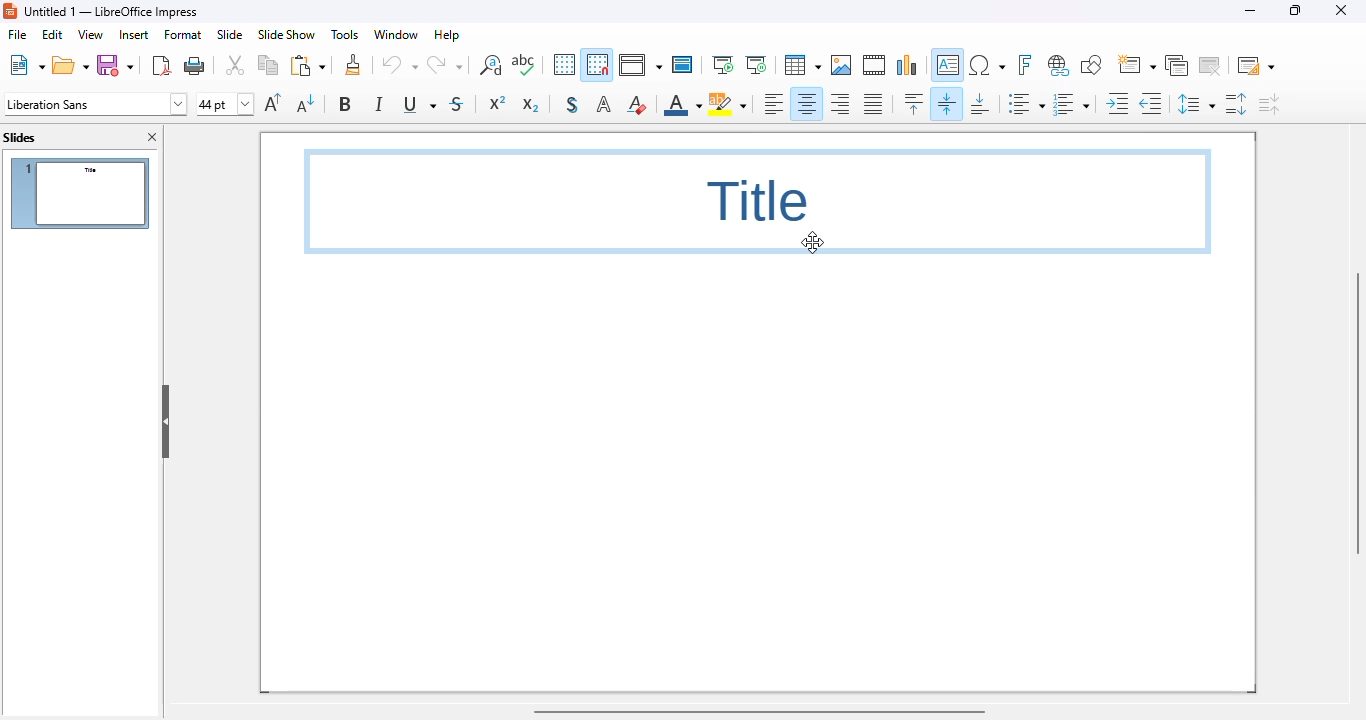 The image size is (1366, 720). Describe the element at coordinates (16, 34) in the screenshot. I see `file` at that location.